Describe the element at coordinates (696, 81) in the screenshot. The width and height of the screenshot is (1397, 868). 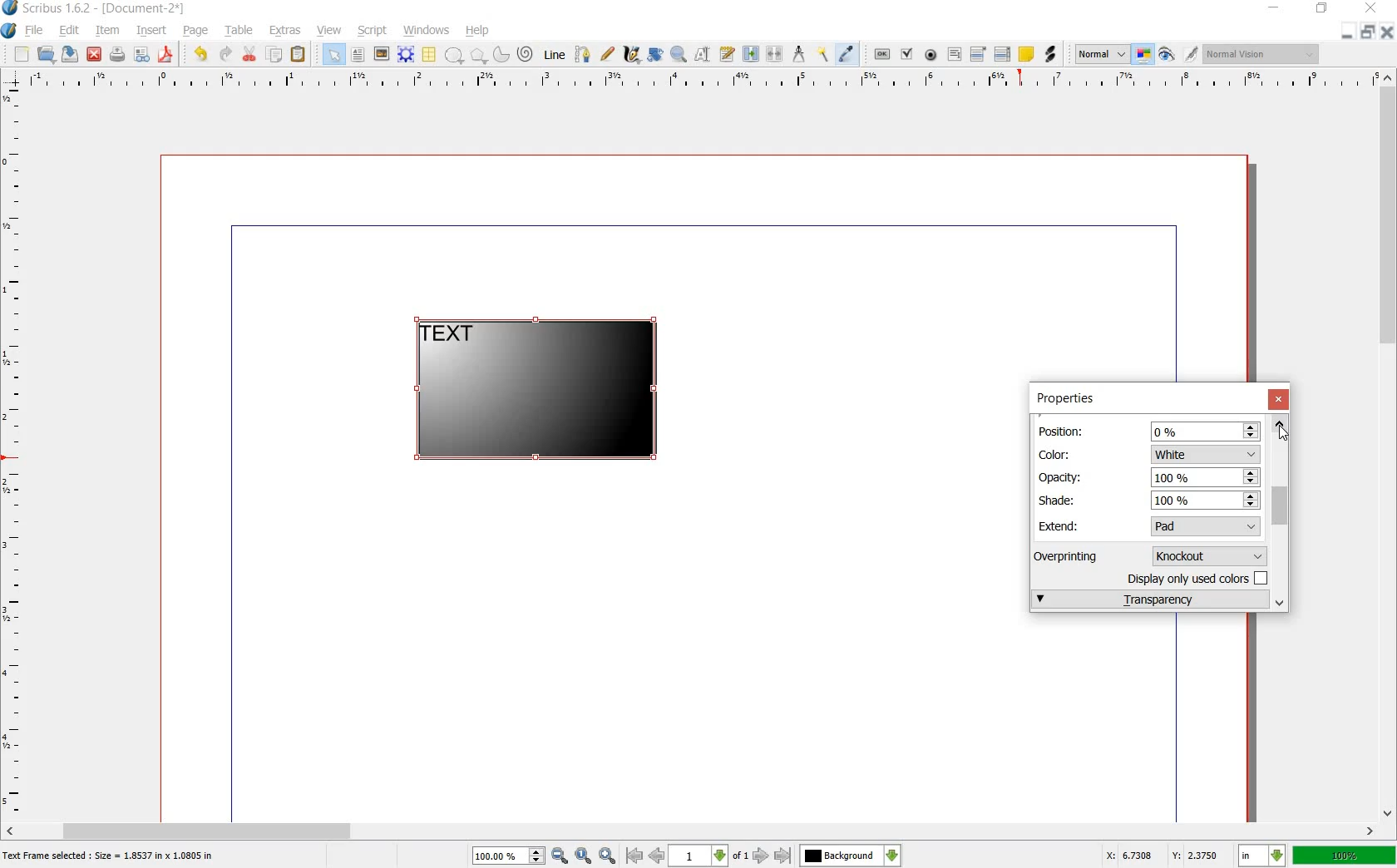
I see `ruler` at that location.